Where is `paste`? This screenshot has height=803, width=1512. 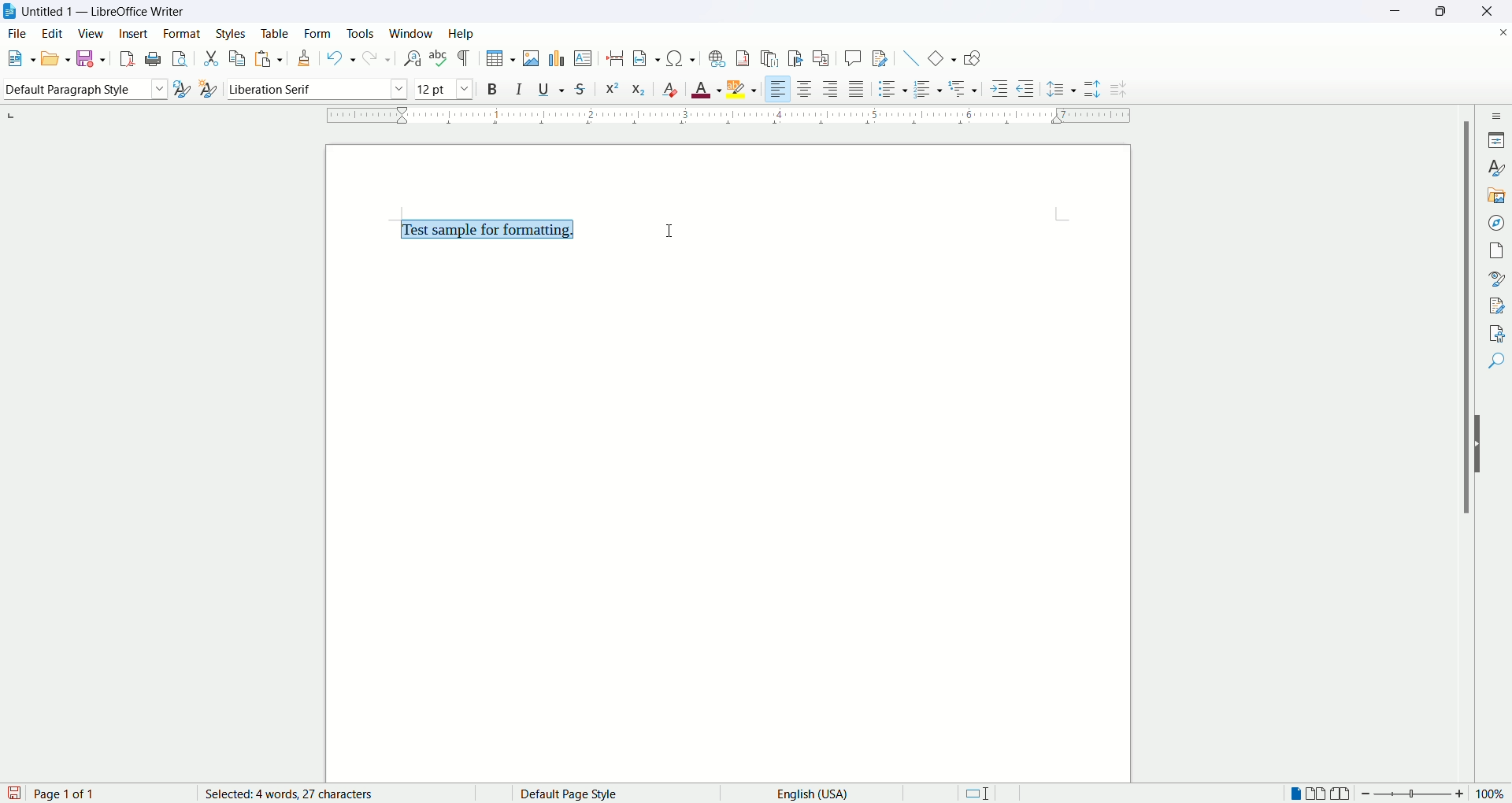
paste is located at coordinates (270, 60).